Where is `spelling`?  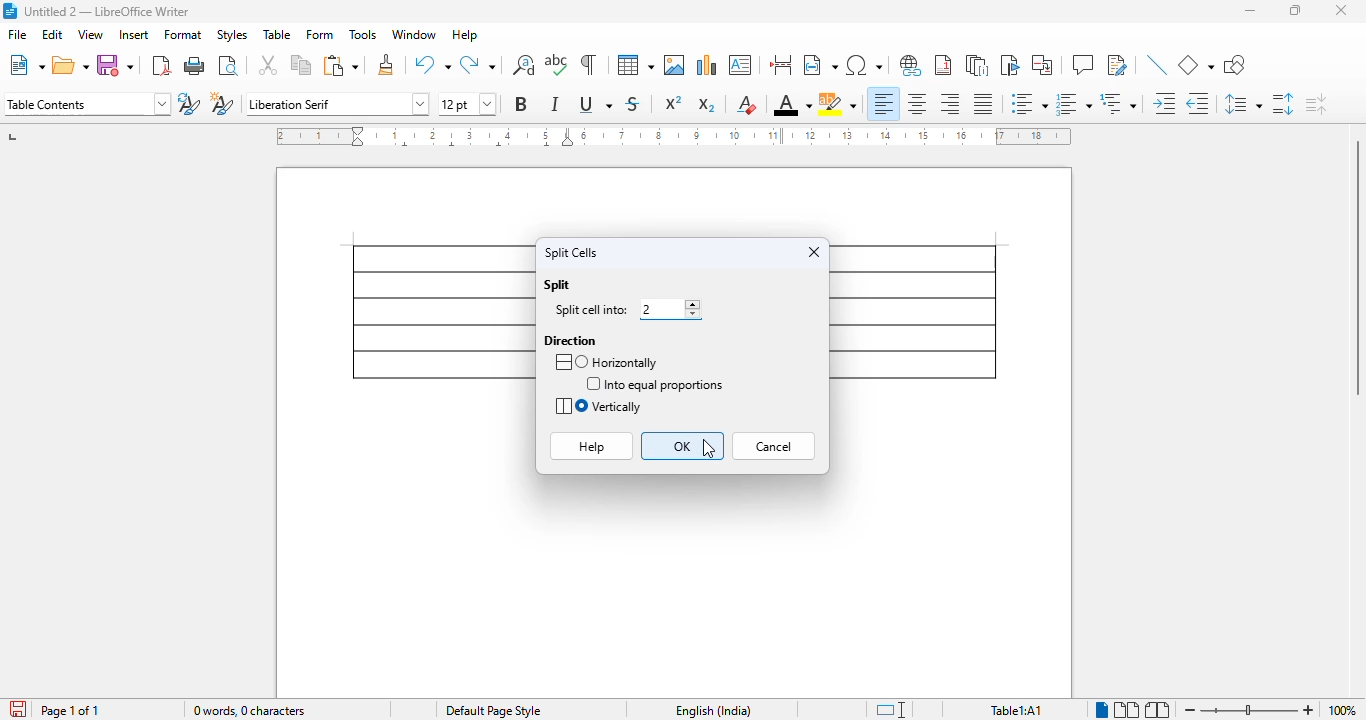
spelling is located at coordinates (557, 65).